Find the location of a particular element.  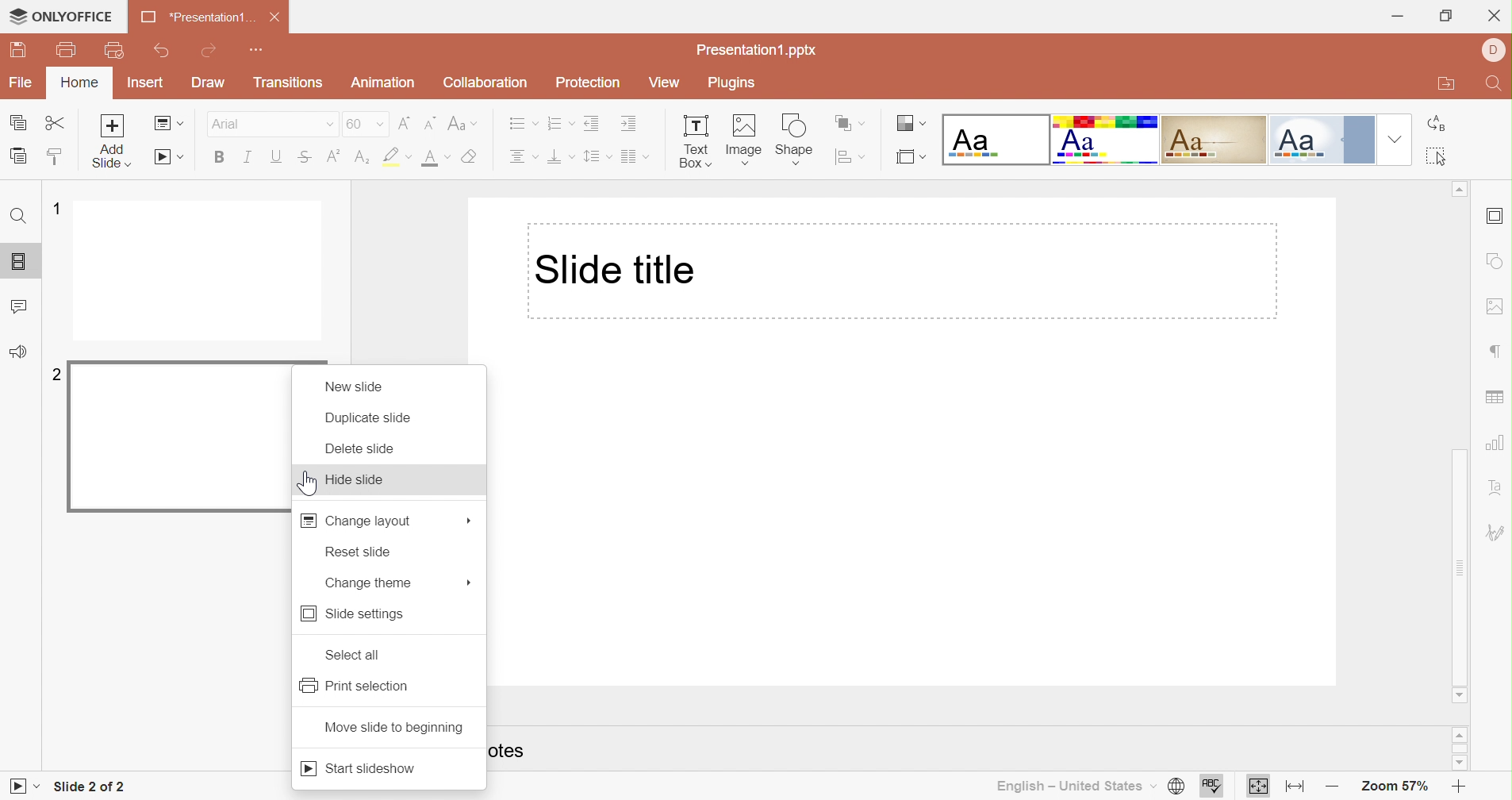

Drop Down is located at coordinates (378, 125).